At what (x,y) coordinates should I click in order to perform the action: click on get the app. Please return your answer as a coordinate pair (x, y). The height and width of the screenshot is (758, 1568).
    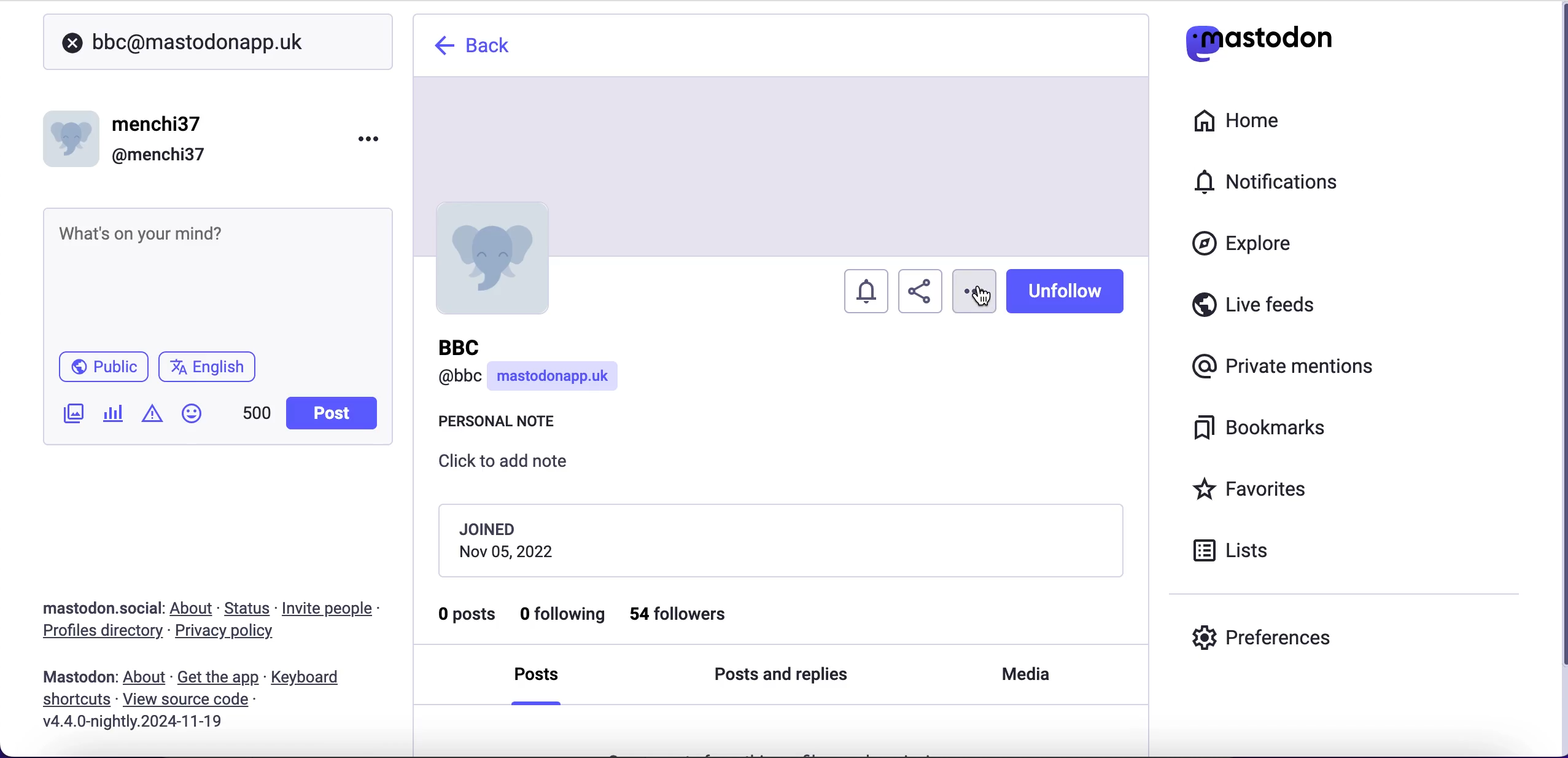
    Looking at the image, I should click on (217, 677).